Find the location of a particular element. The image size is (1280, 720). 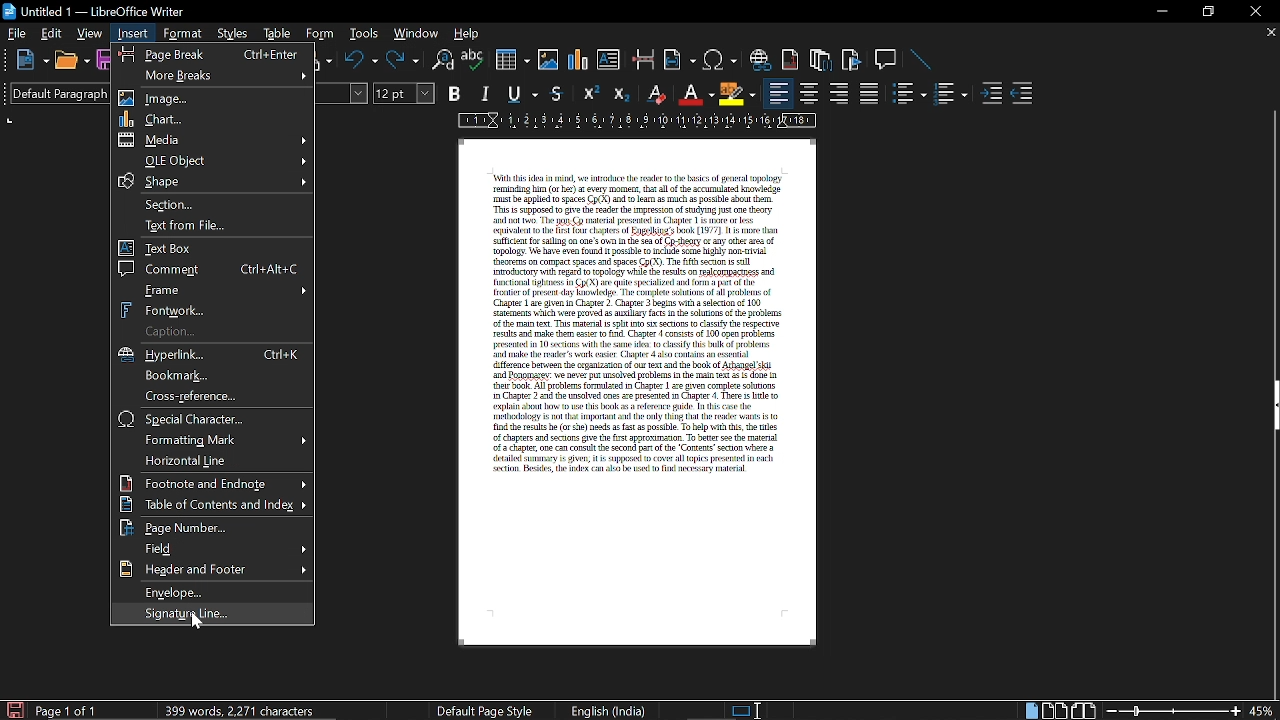

horizontal line is located at coordinates (211, 462).